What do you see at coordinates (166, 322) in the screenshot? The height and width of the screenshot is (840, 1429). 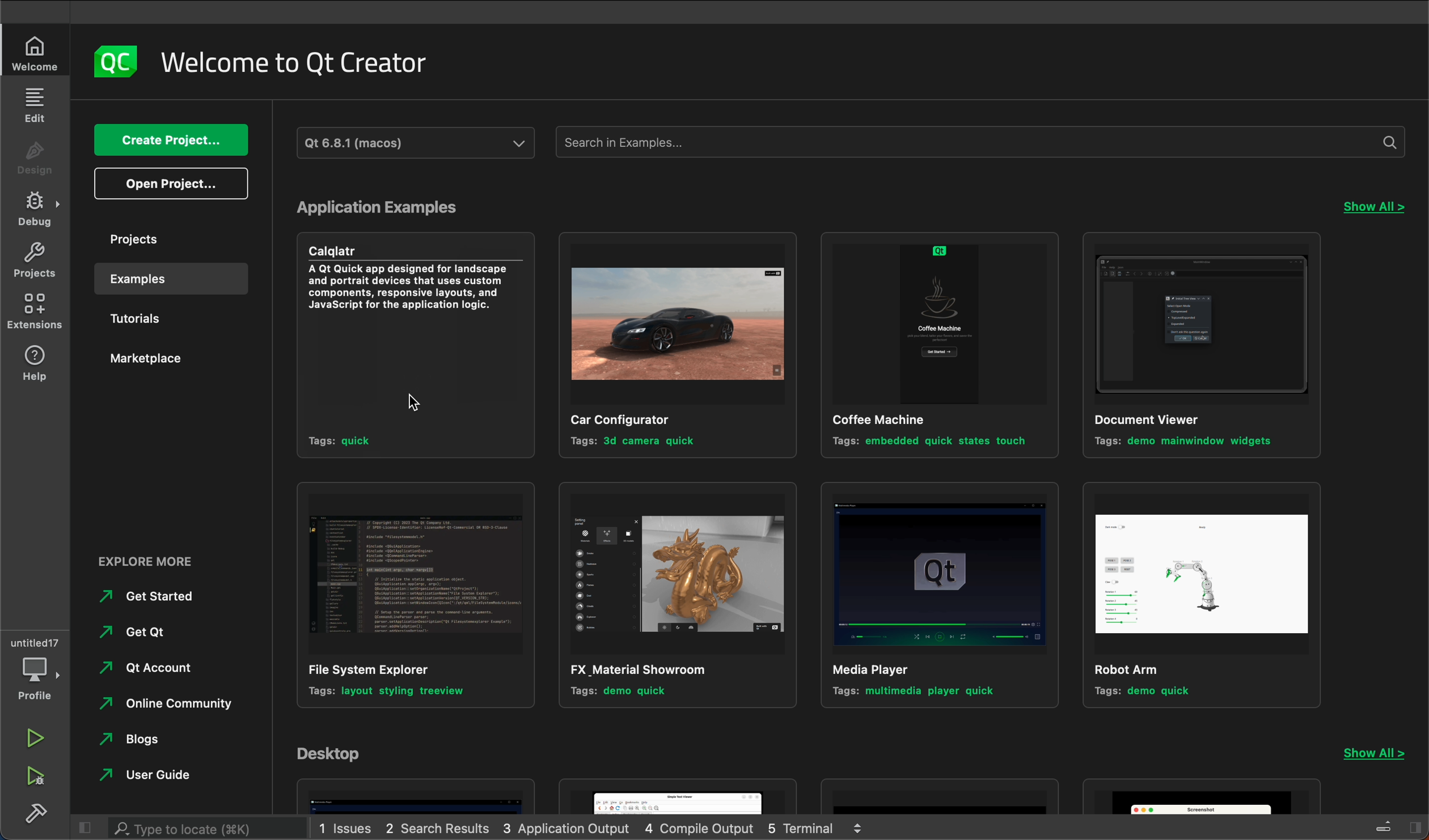 I see `tutorials` at bounding box center [166, 322].